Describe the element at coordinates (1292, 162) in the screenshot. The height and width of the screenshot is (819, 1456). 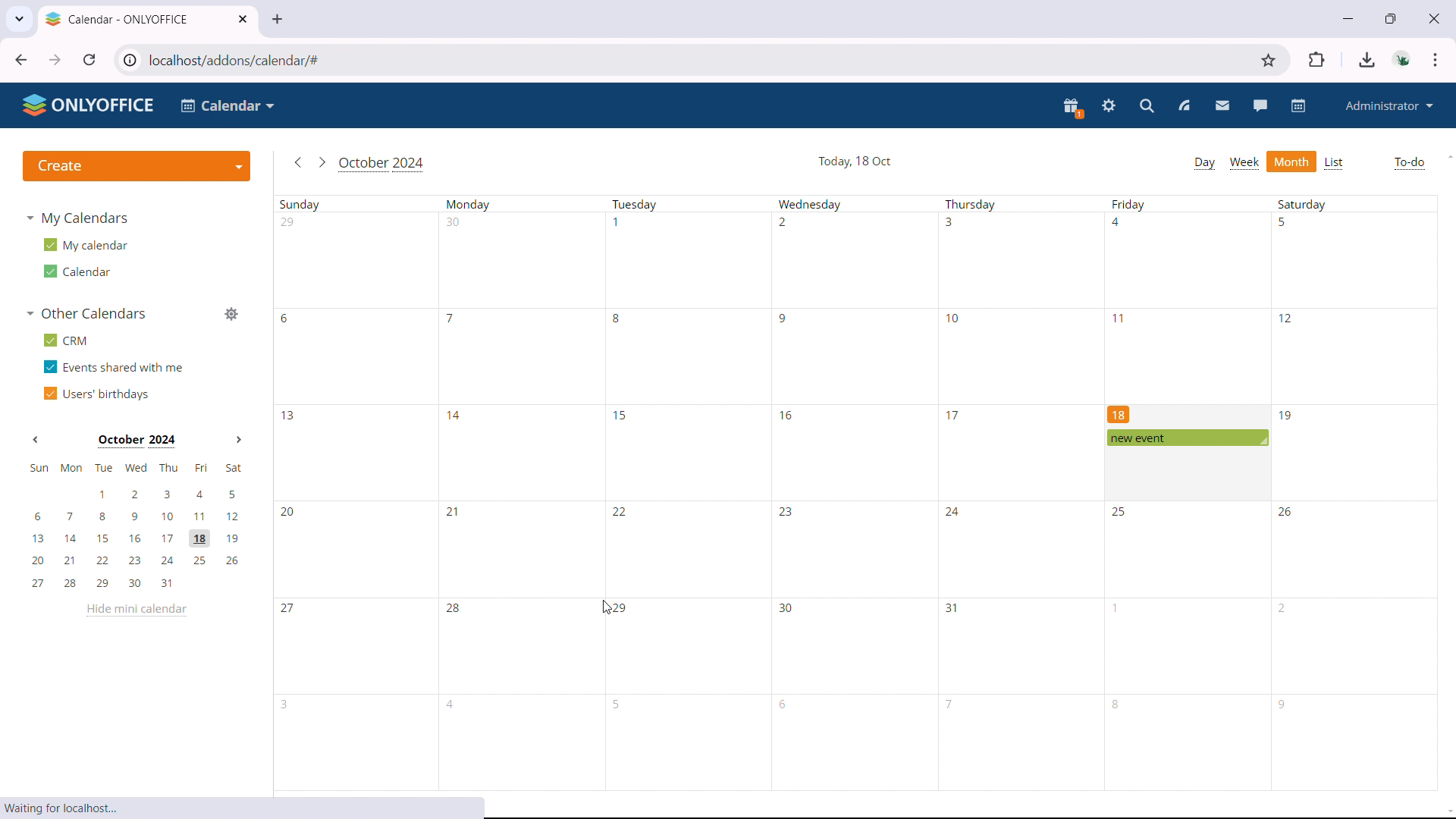
I see `month` at that location.